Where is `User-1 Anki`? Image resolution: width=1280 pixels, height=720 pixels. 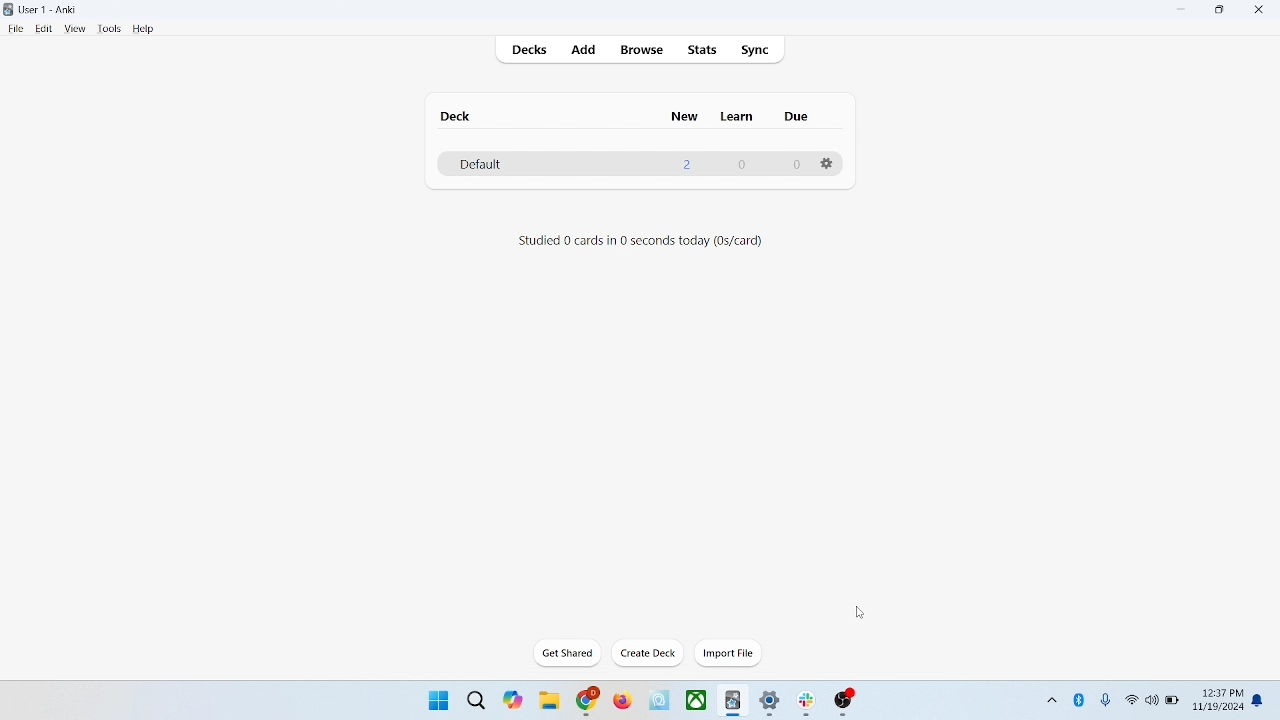
User-1 Anki is located at coordinates (52, 11).